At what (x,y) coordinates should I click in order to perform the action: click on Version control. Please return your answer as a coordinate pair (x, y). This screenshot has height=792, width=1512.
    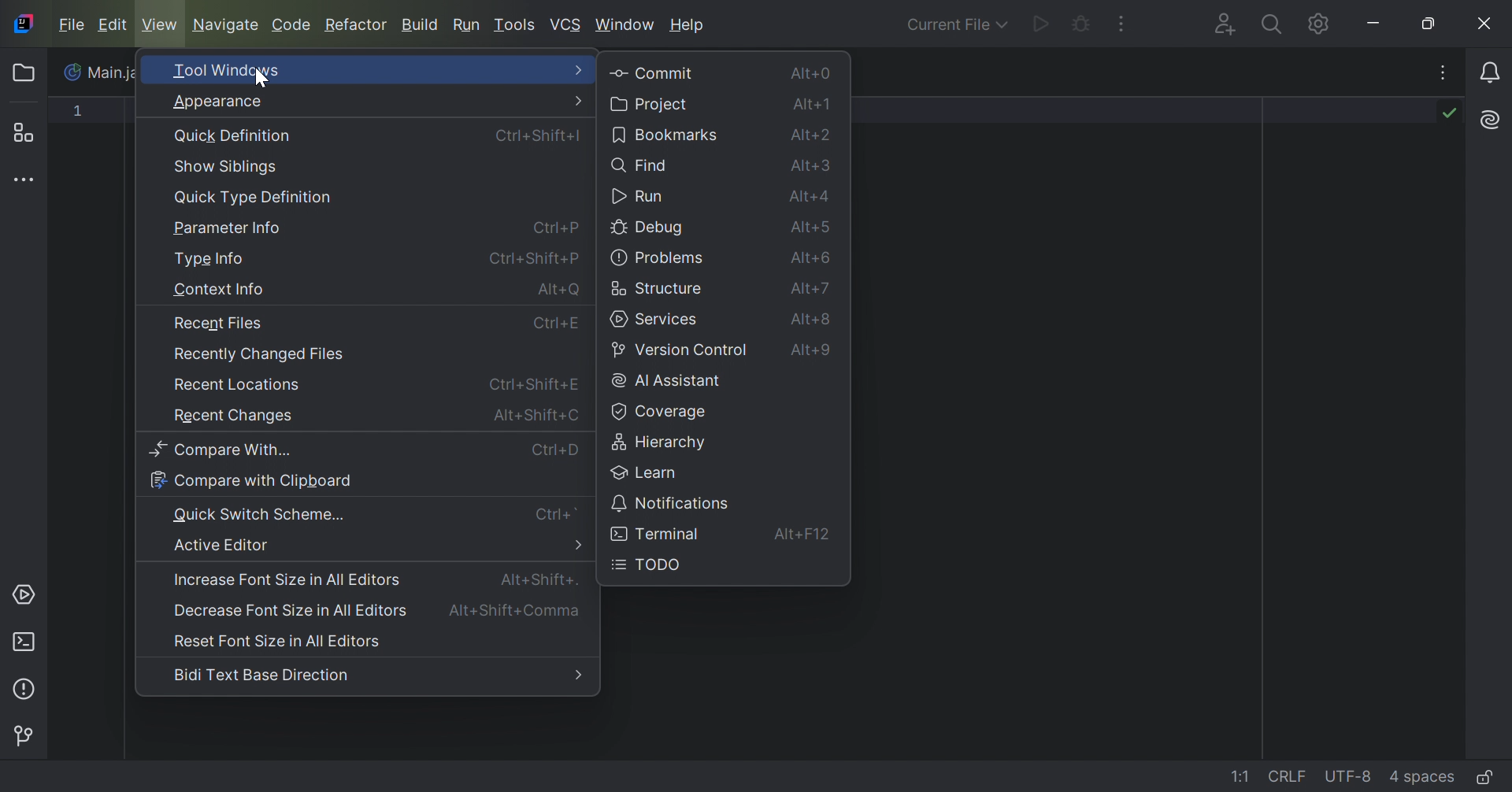
    Looking at the image, I should click on (28, 734).